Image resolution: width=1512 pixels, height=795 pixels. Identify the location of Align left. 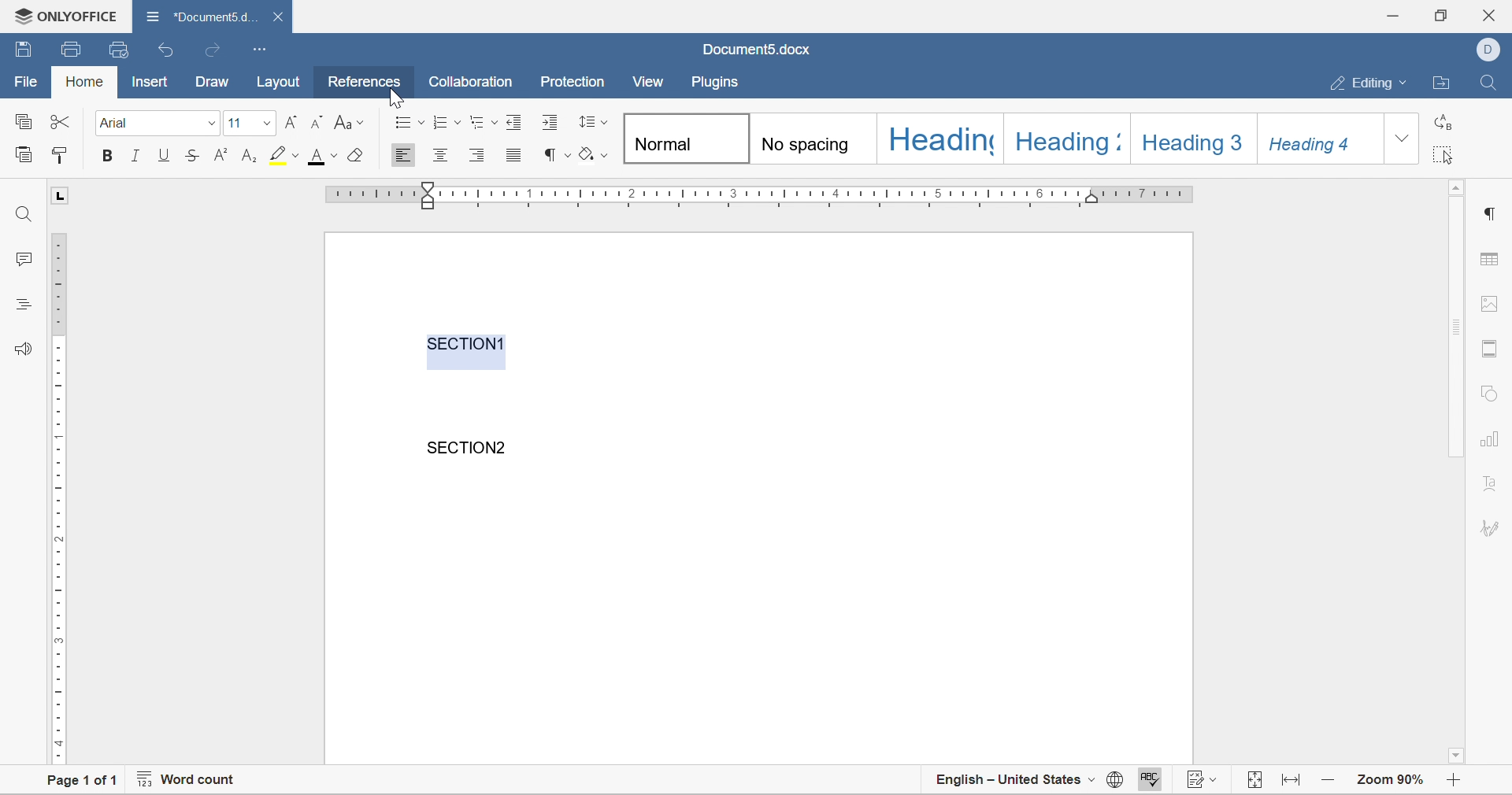
(402, 156).